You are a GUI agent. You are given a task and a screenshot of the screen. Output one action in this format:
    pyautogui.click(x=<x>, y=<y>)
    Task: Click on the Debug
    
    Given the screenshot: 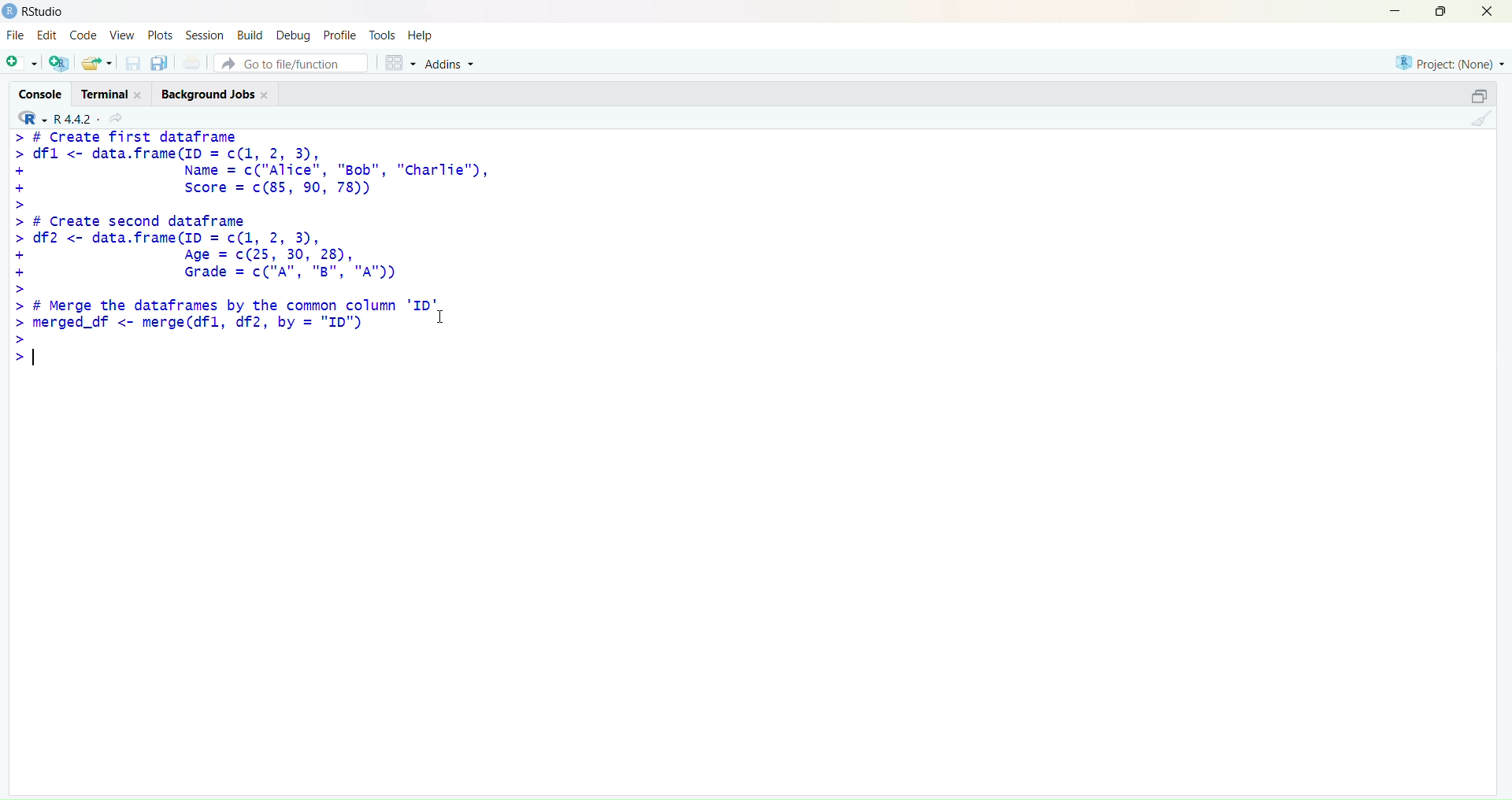 What is the action you would take?
    pyautogui.click(x=293, y=36)
    